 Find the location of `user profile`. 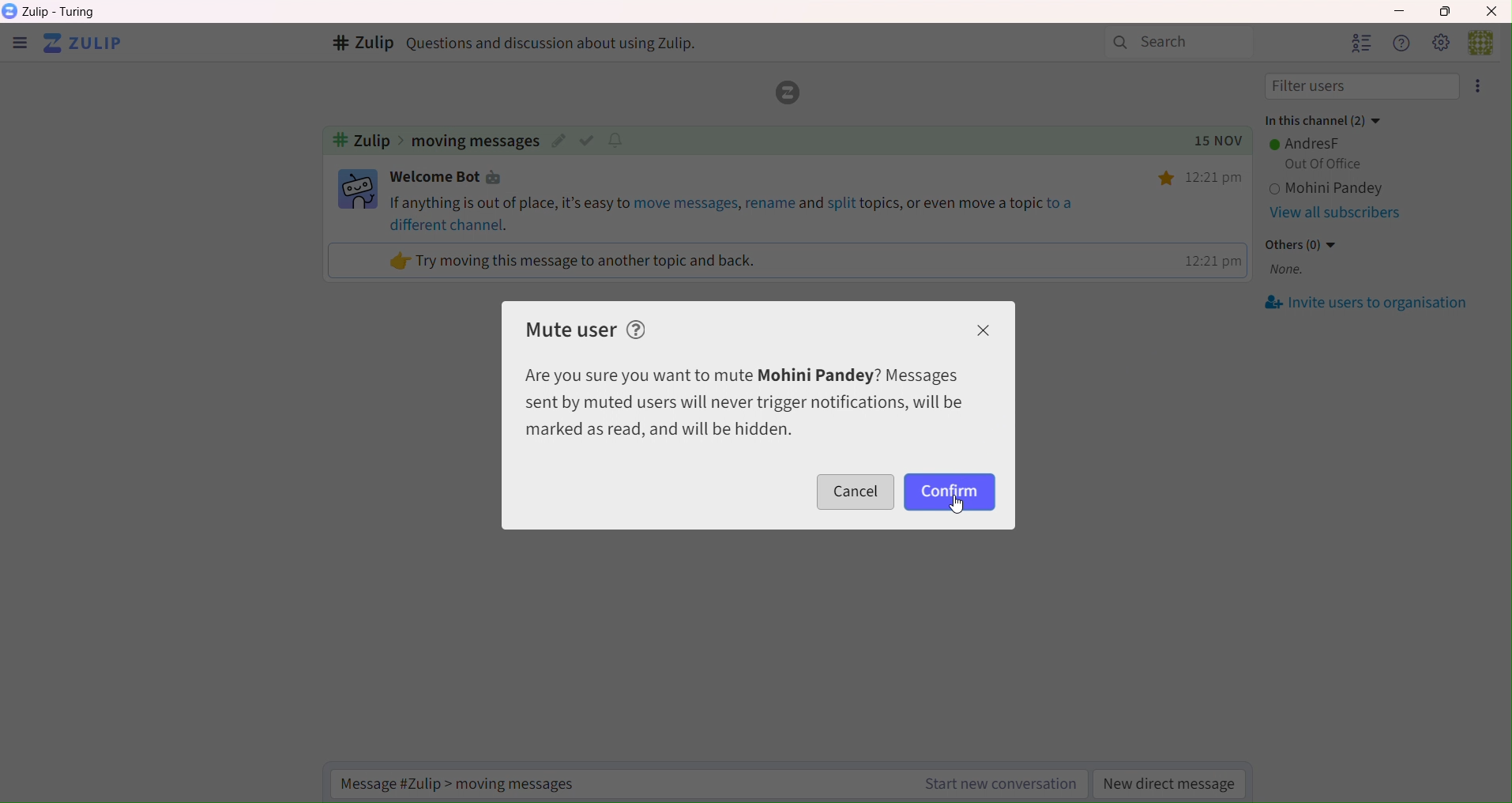

user profile is located at coordinates (359, 189).